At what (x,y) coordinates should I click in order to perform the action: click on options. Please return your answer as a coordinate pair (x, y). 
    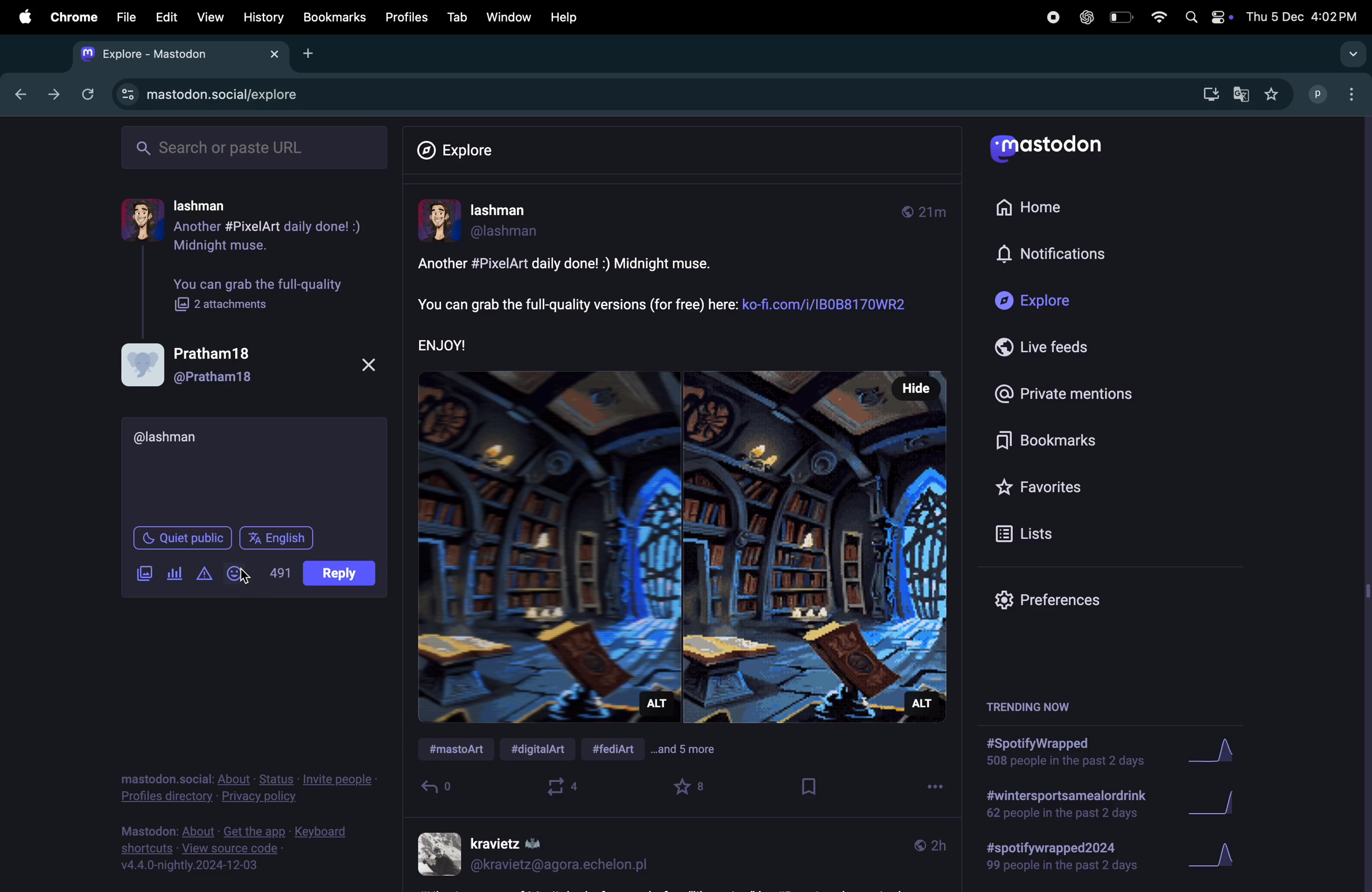
    Looking at the image, I should click on (929, 789).